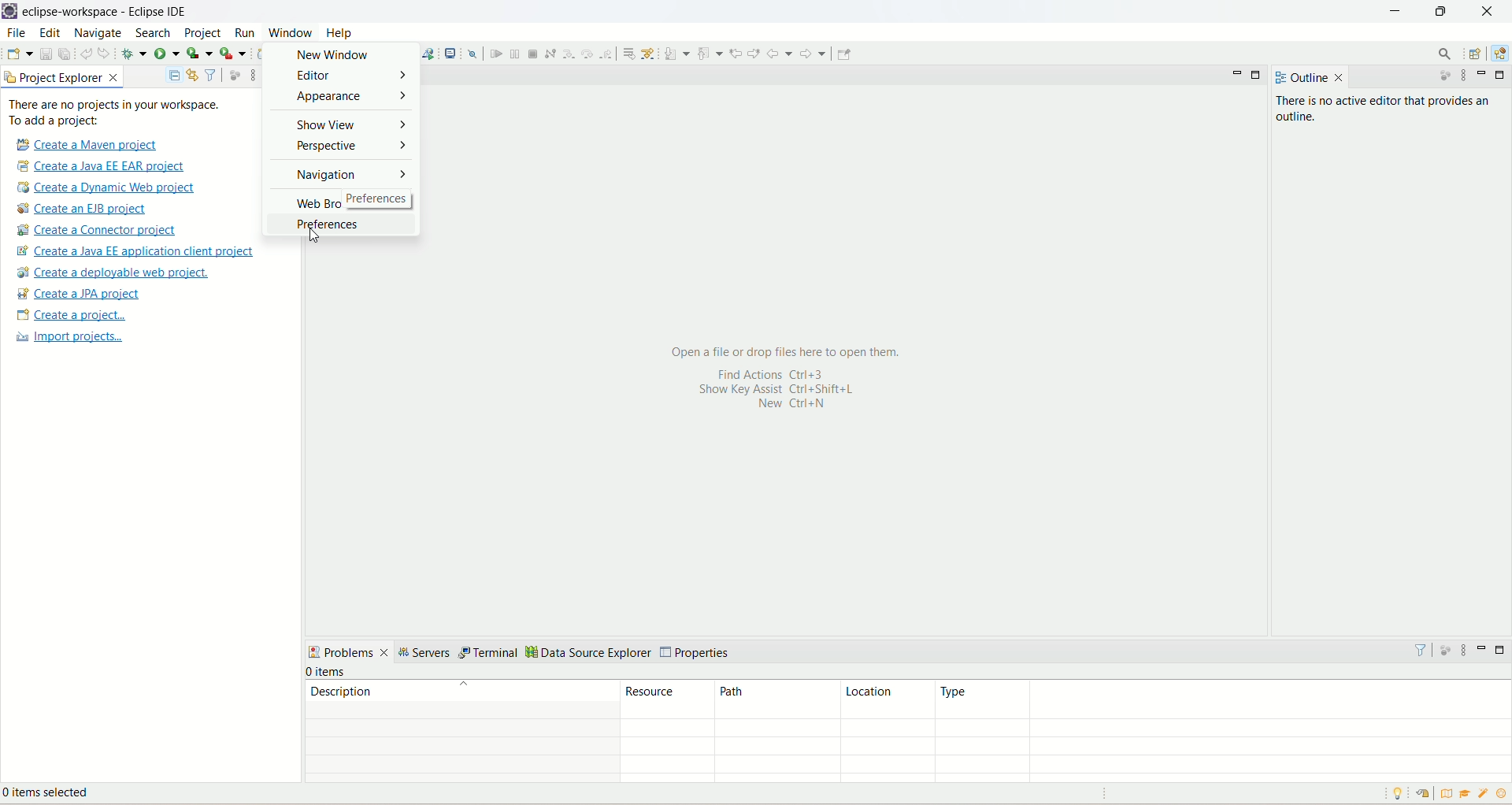  What do you see at coordinates (10, 12) in the screenshot?
I see `logo` at bounding box center [10, 12].